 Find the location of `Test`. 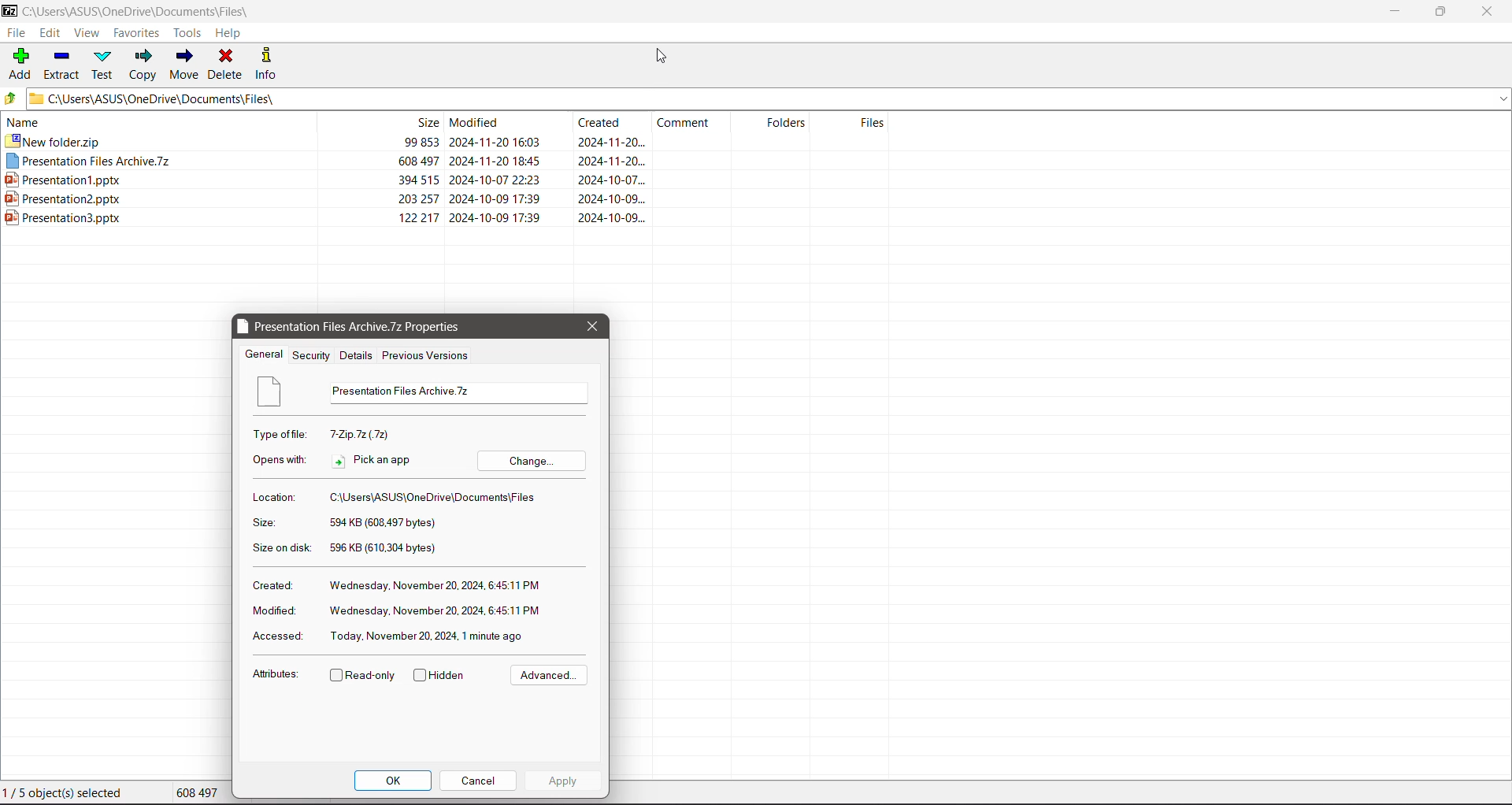

Test is located at coordinates (104, 65).